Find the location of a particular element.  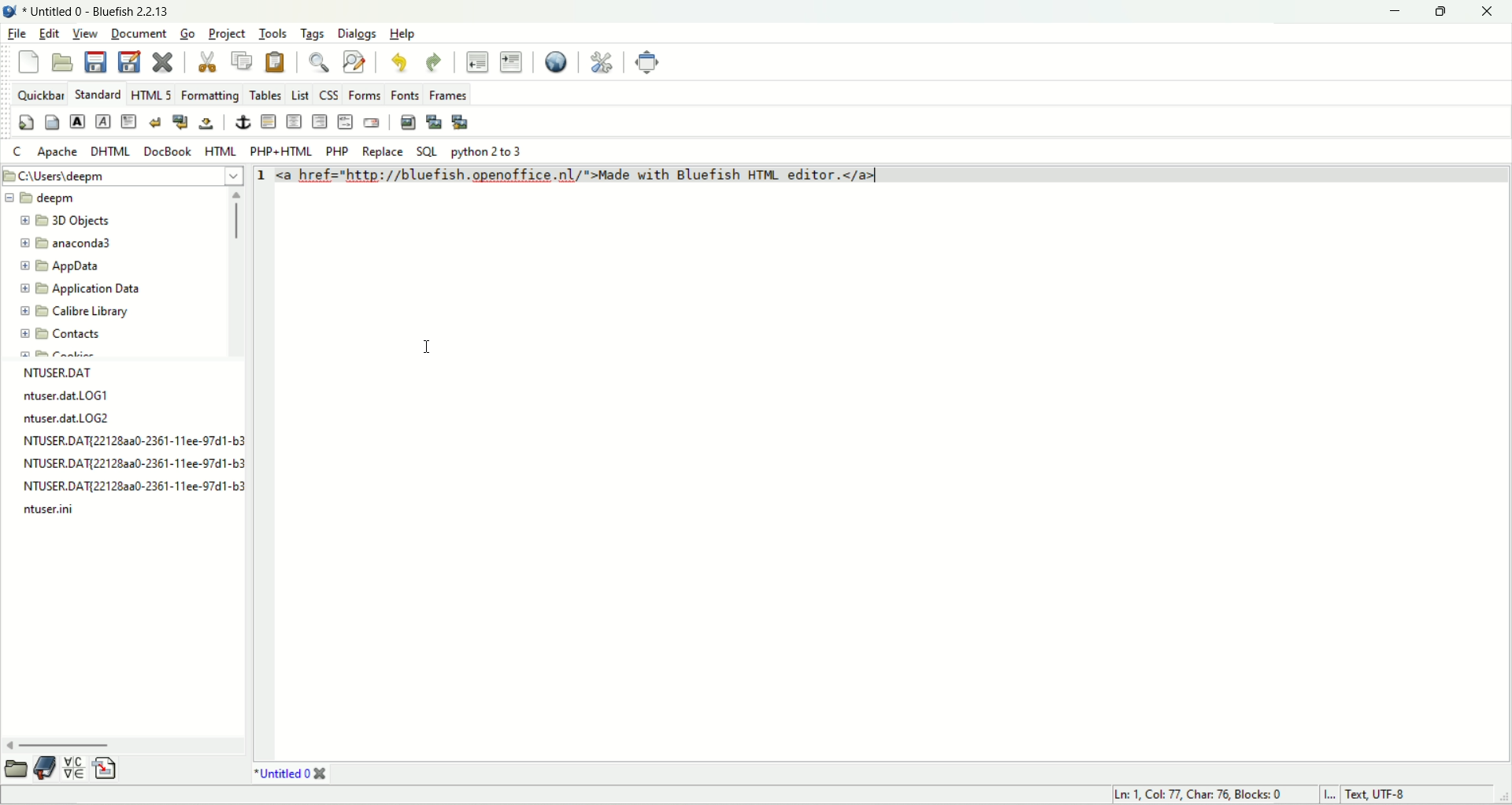

email is located at coordinates (372, 123).